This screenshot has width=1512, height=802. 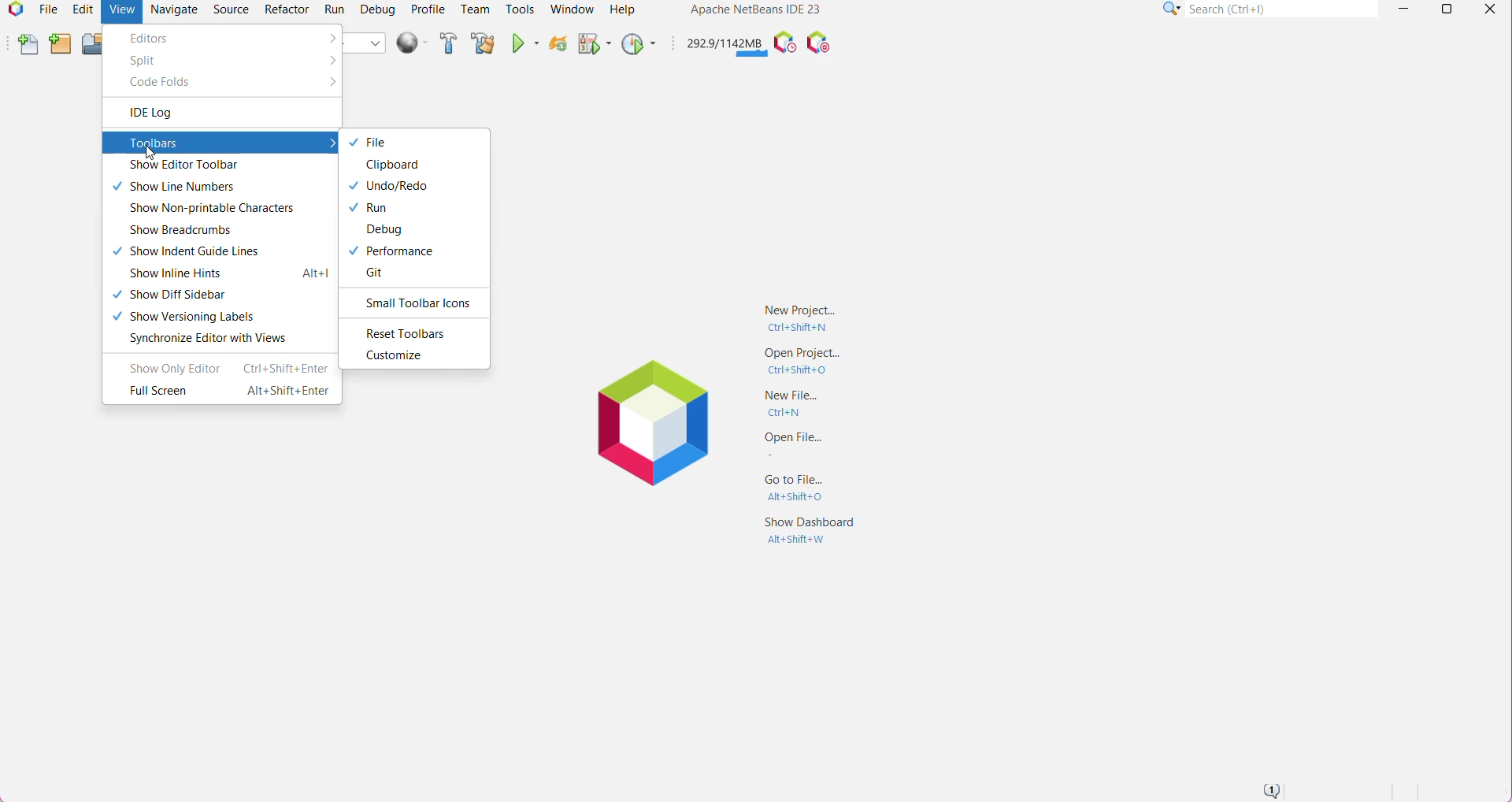 What do you see at coordinates (228, 274) in the screenshot?
I see `Show Inline Hints` at bounding box center [228, 274].